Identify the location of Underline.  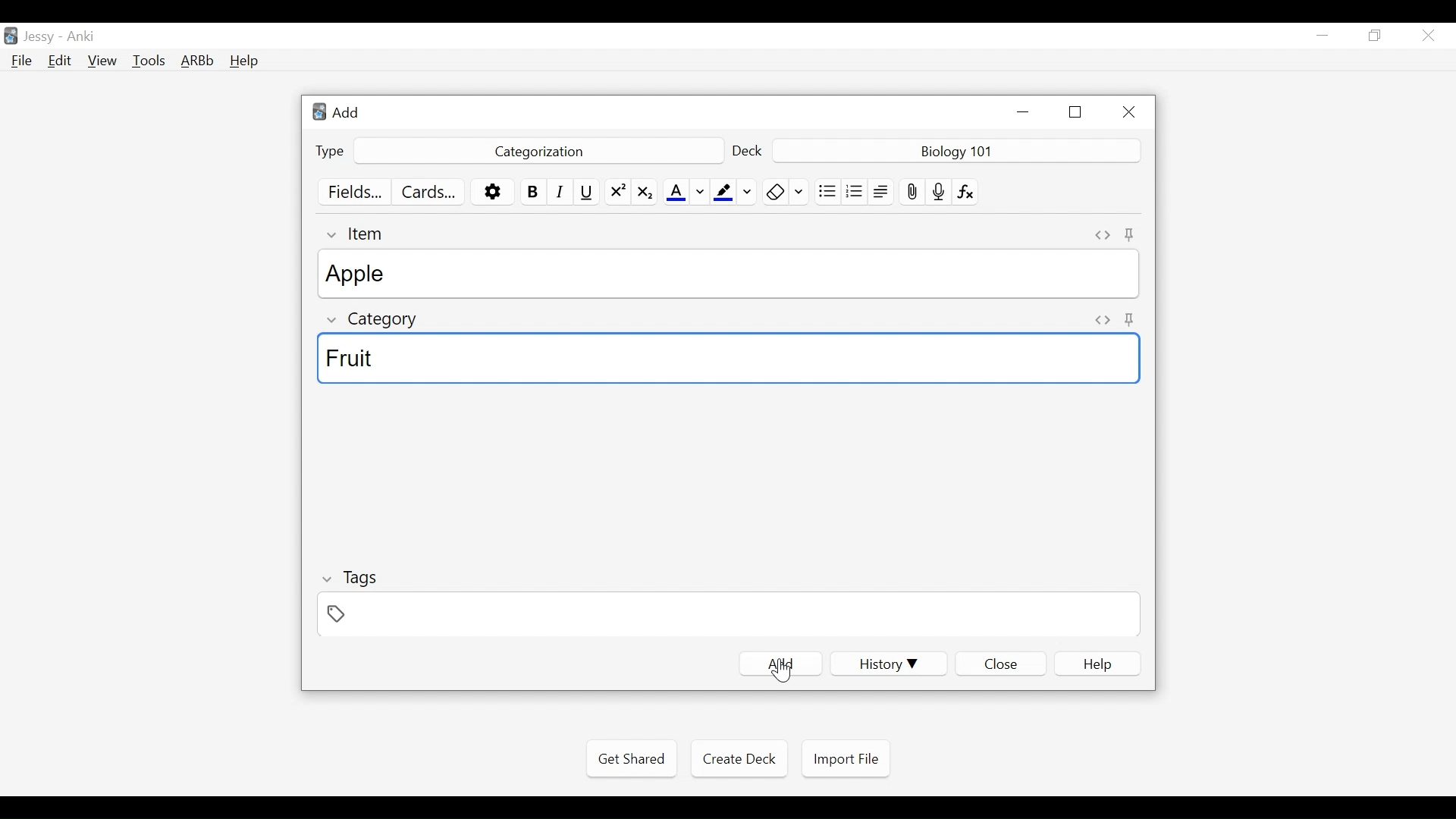
(588, 192).